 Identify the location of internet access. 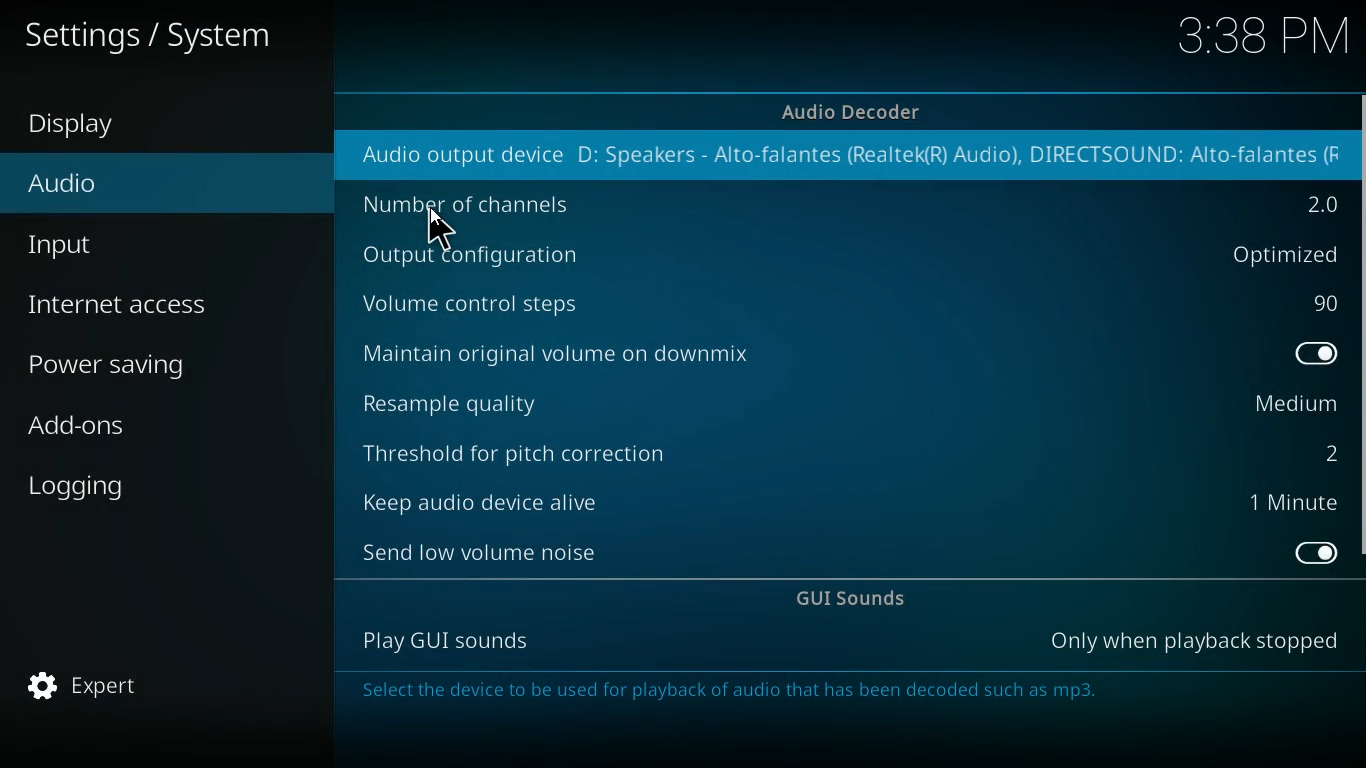
(148, 305).